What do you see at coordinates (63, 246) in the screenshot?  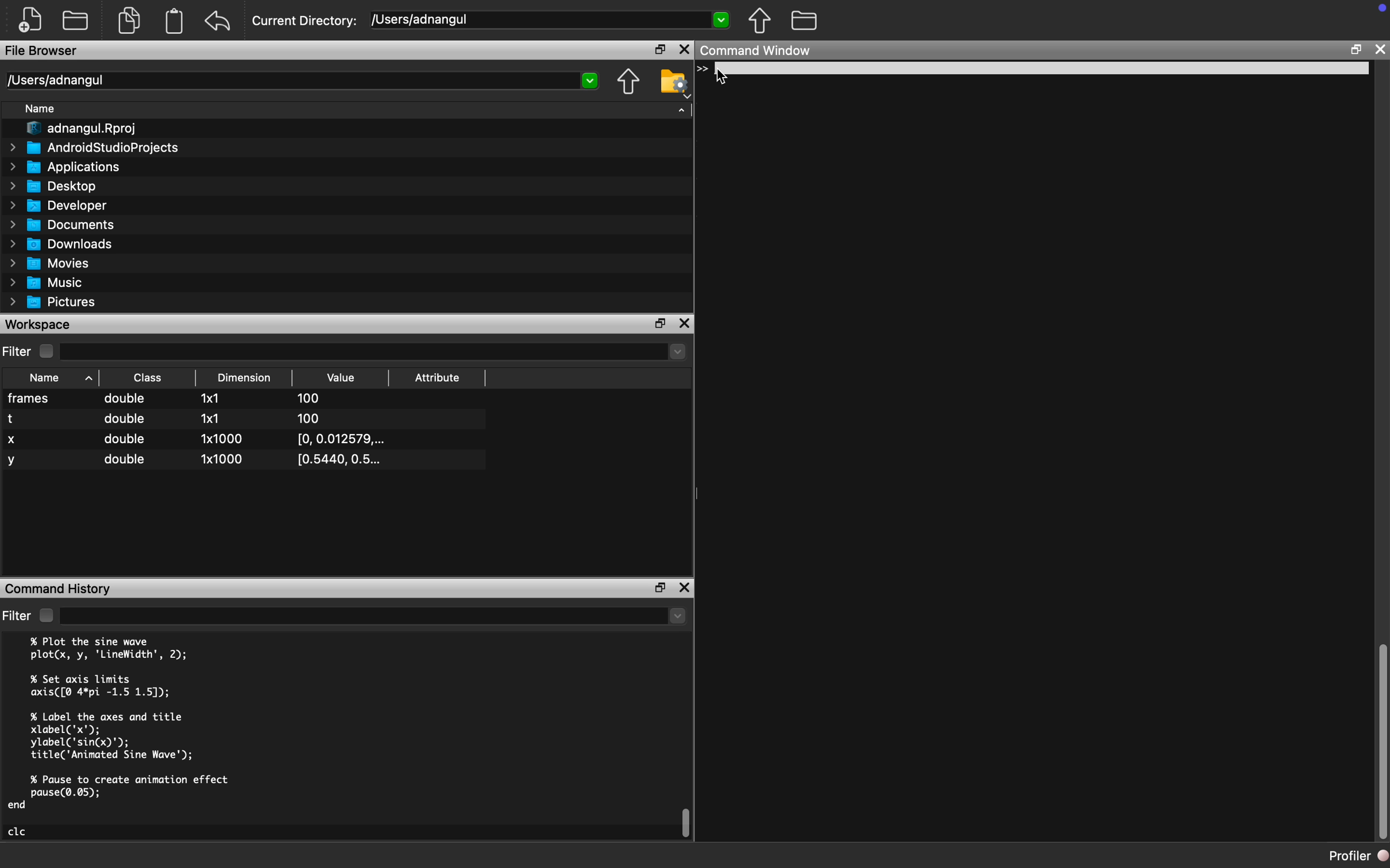 I see `Downloads` at bounding box center [63, 246].